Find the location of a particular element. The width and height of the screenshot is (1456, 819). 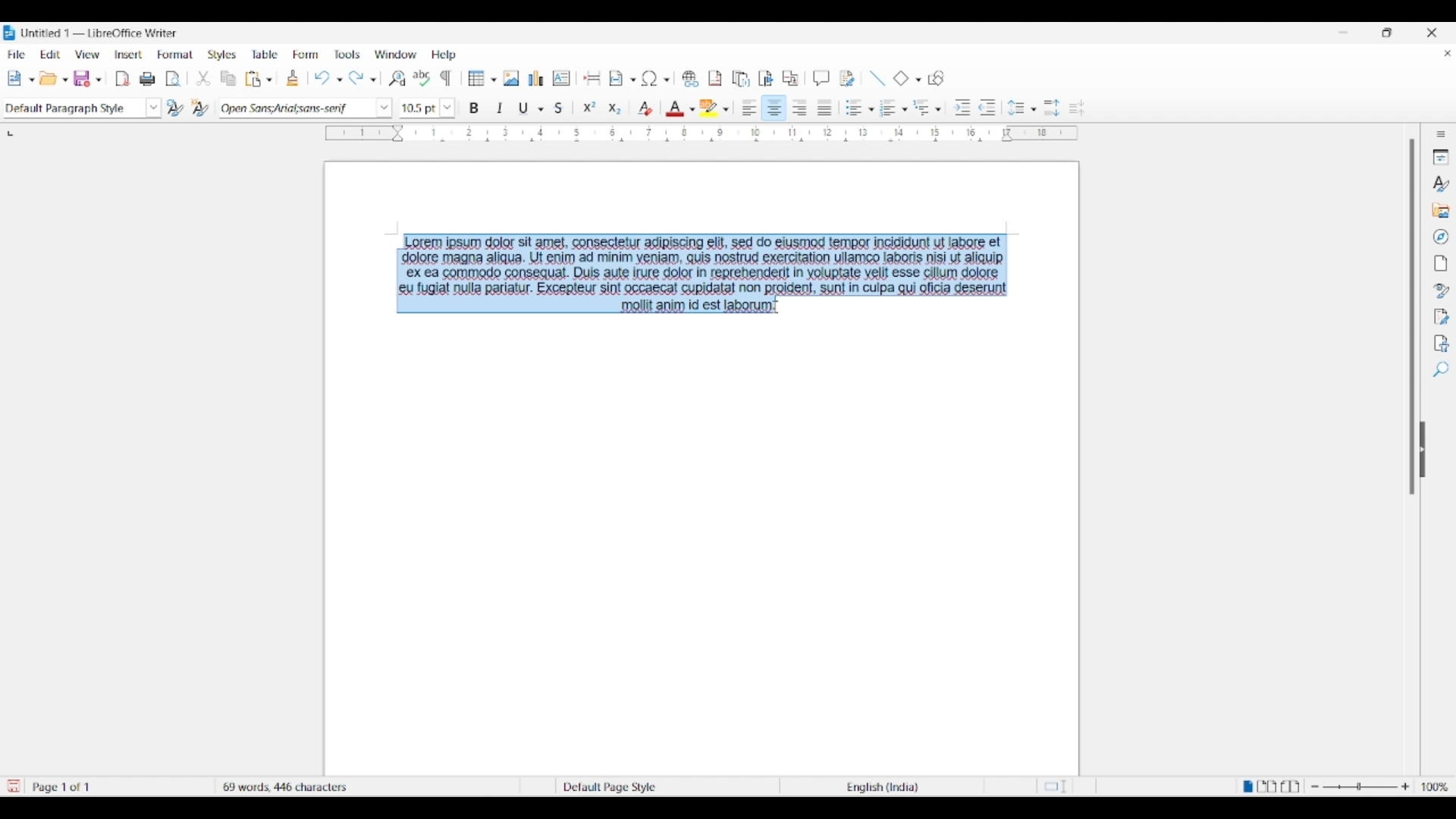

Insert field is located at coordinates (617, 79).